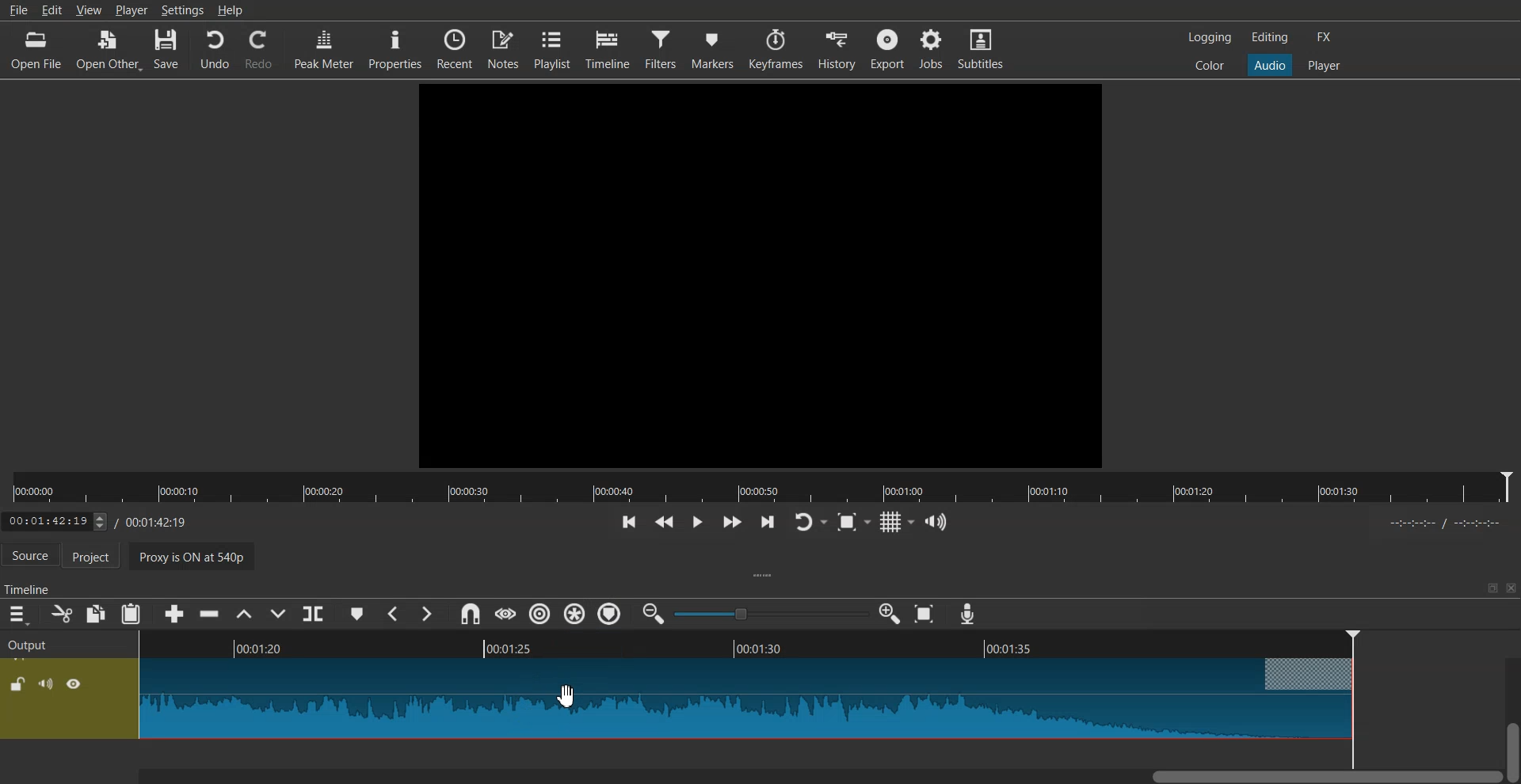 The height and width of the screenshot is (784, 1521). What do you see at coordinates (93, 522) in the screenshot?
I see `Adjust Time Selector` at bounding box center [93, 522].